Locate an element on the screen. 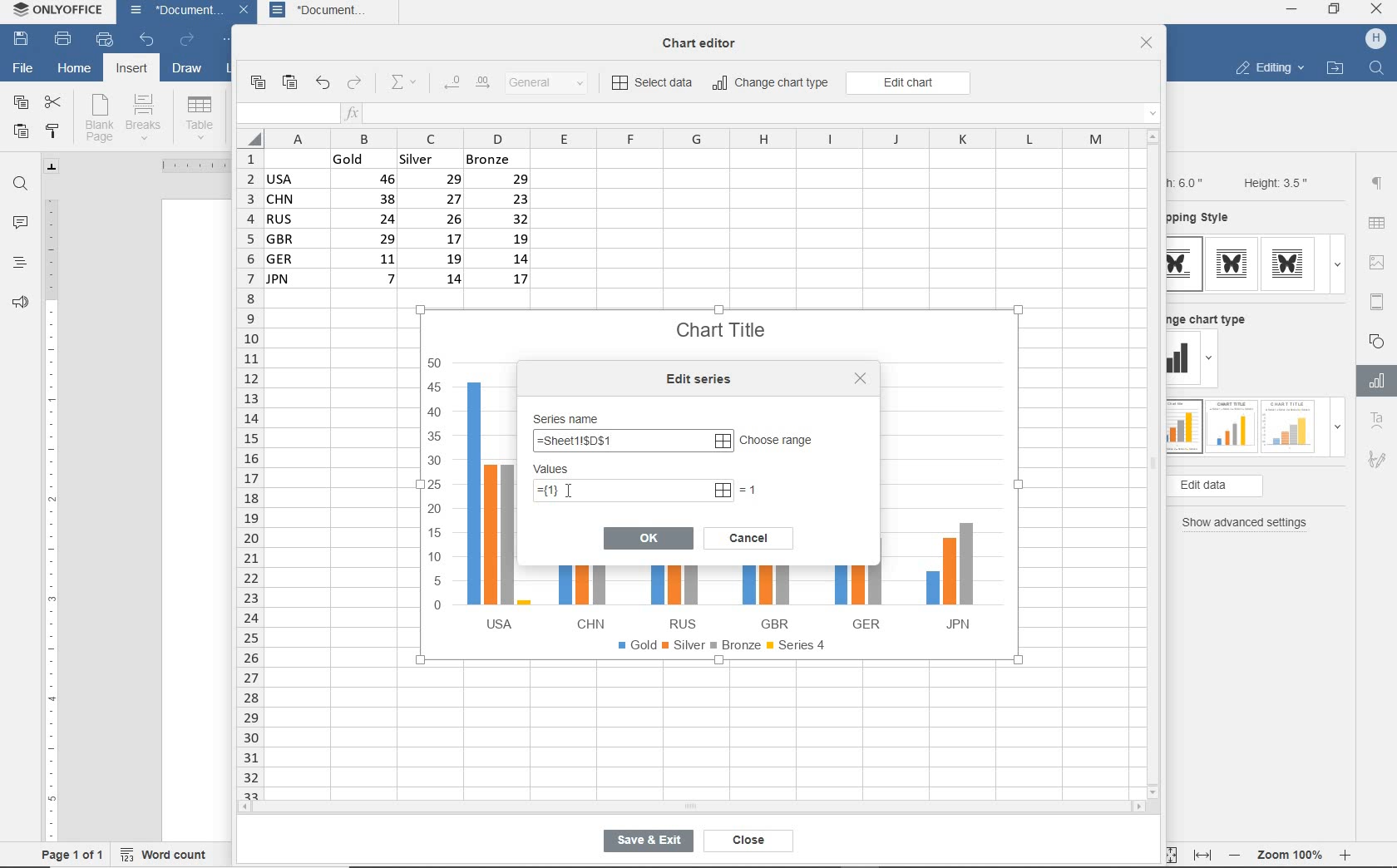 This screenshot has height=868, width=1397. editing is located at coordinates (1269, 70).